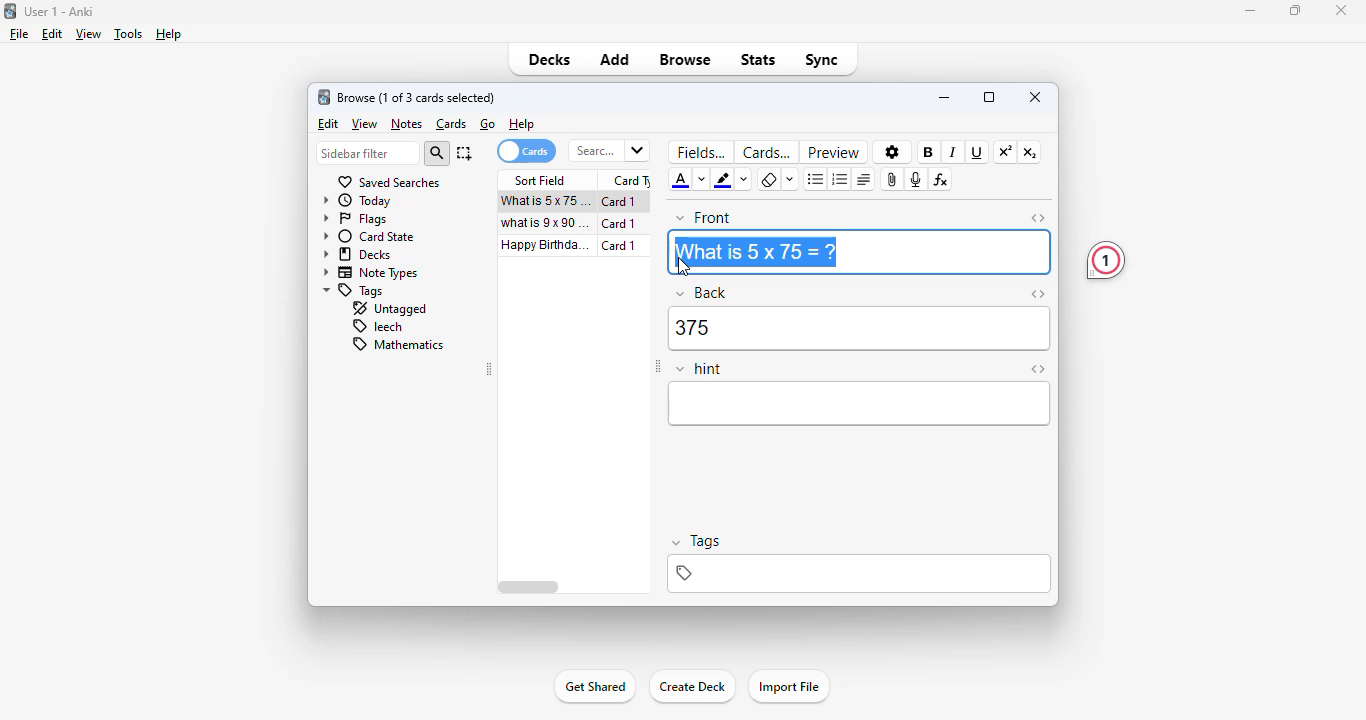 The width and height of the screenshot is (1366, 720). What do you see at coordinates (53, 35) in the screenshot?
I see `edit` at bounding box center [53, 35].